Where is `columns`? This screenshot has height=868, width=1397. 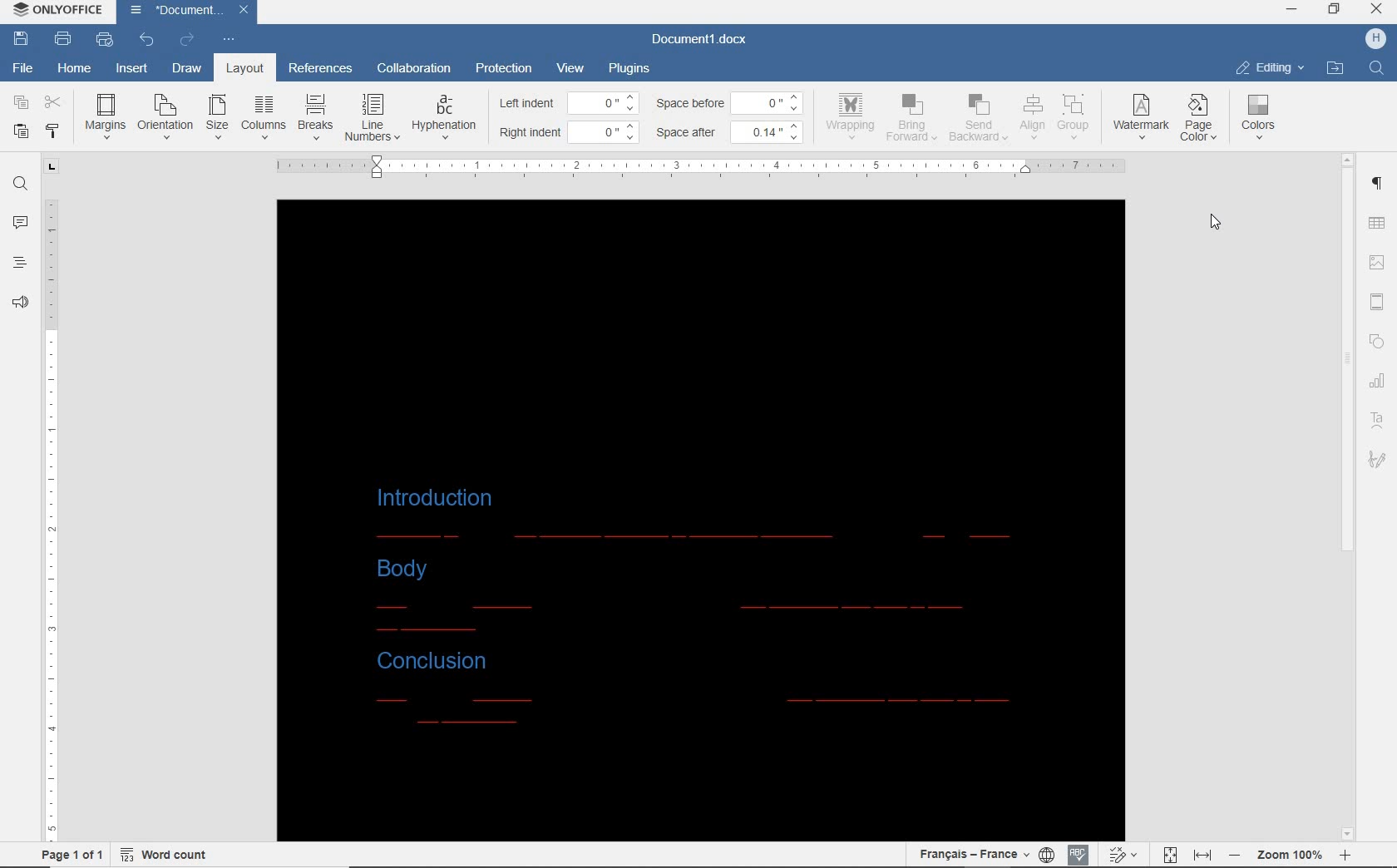
columns is located at coordinates (263, 120).